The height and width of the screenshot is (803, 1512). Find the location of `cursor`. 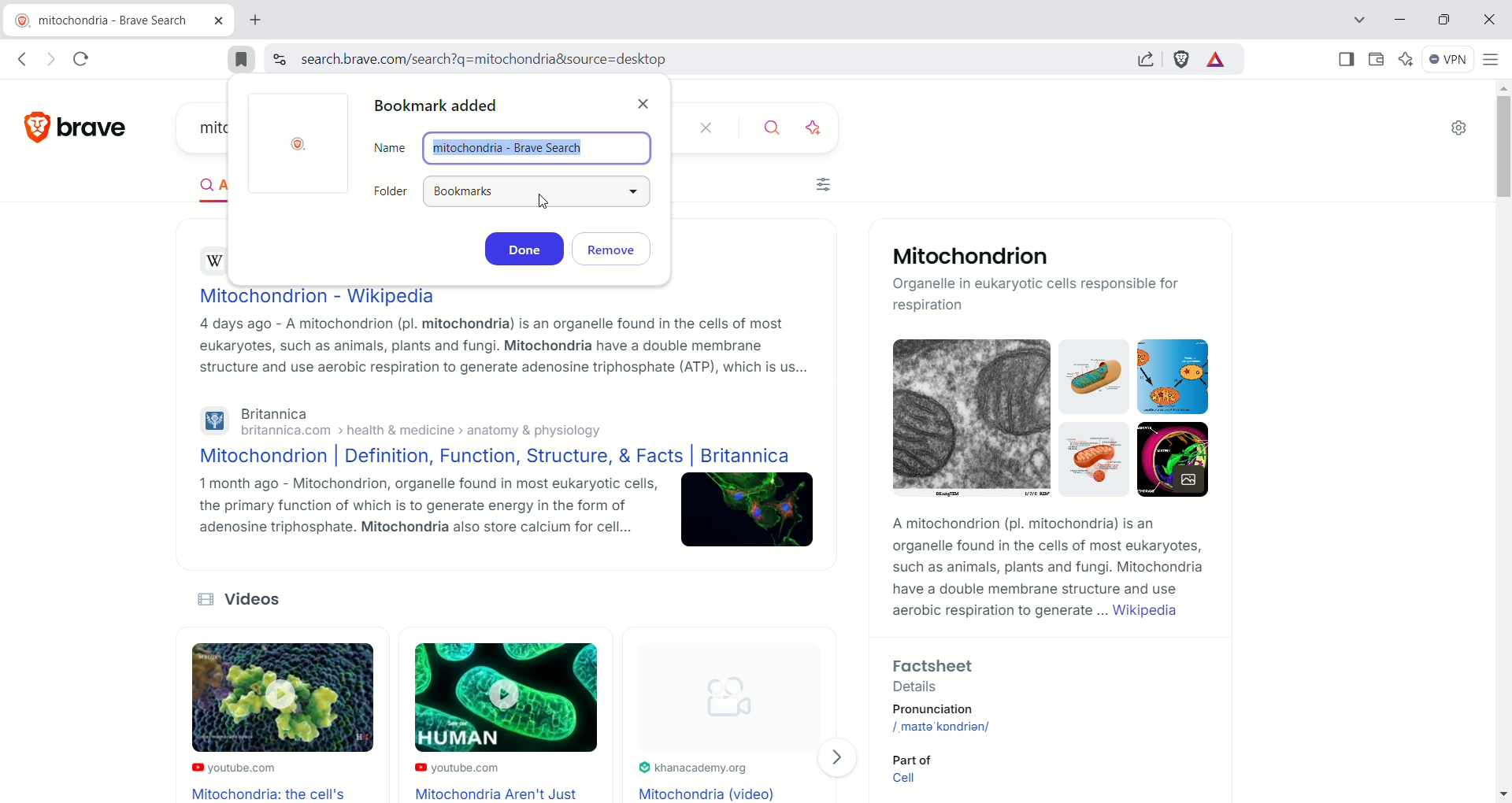

cursor is located at coordinates (547, 202).